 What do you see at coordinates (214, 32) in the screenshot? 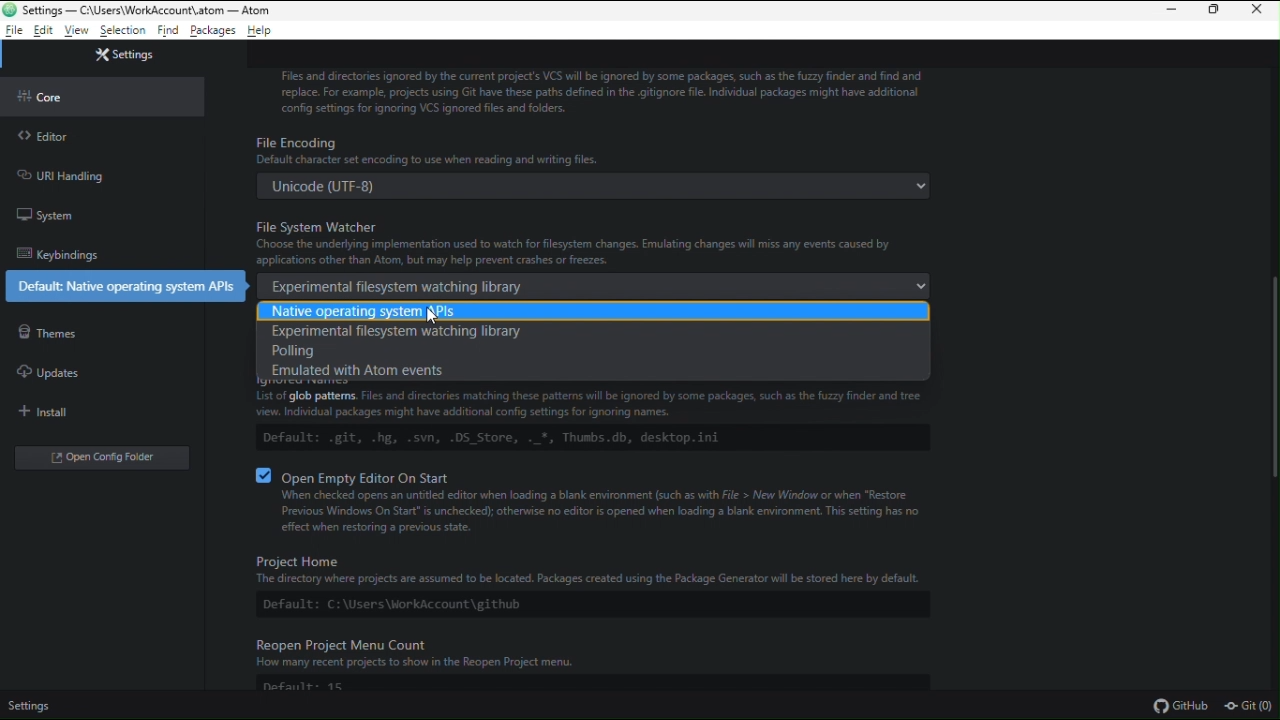
I see `Packages ` at bounding box center [214, 32].